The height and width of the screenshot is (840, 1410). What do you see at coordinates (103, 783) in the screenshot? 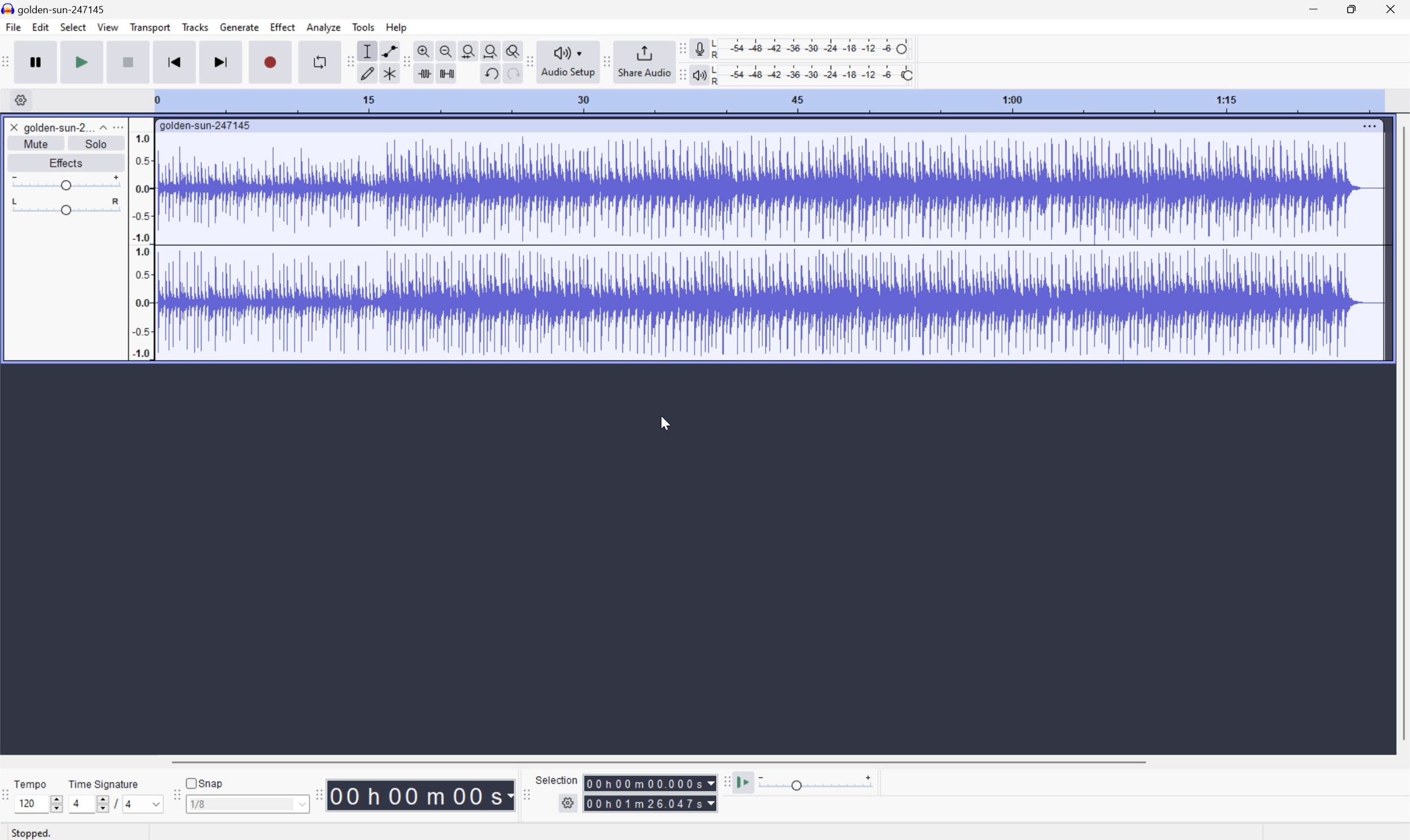
I see `Time signature` at bounding box center [103, 783].